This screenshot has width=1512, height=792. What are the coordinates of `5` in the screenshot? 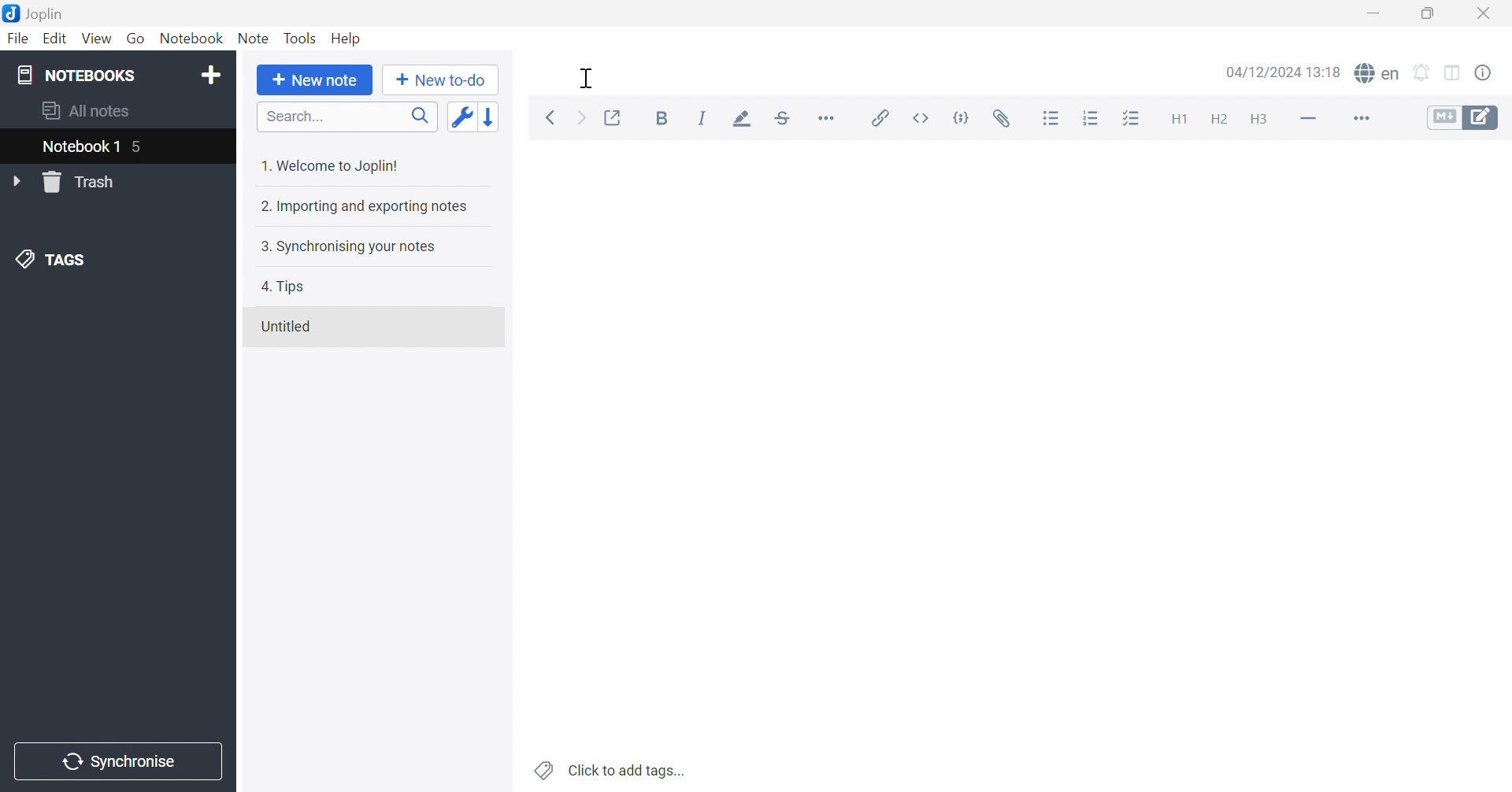 It's located at (144, 146).